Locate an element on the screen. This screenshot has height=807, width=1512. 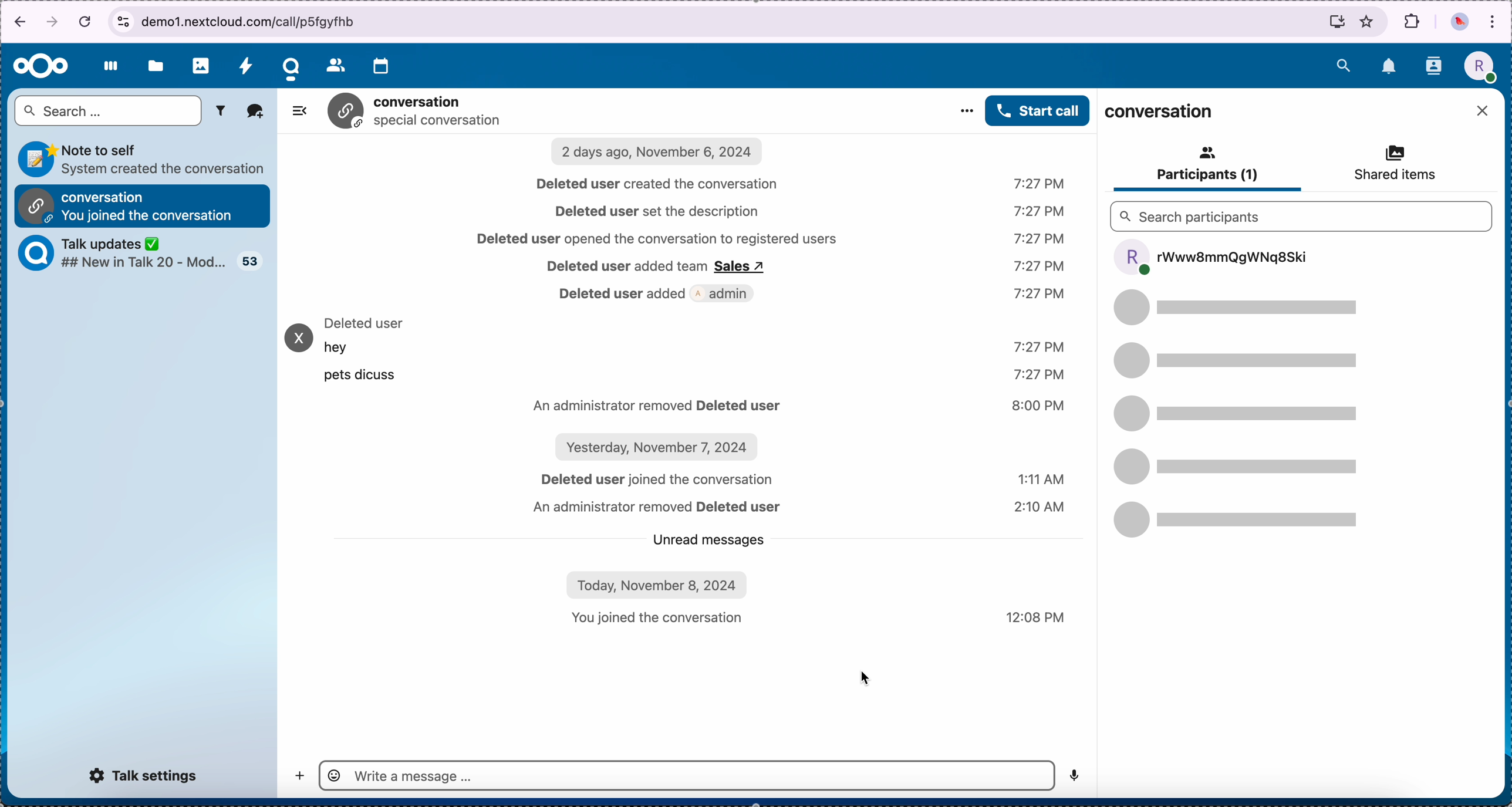
notifications is located at coordinates (1389, 67).